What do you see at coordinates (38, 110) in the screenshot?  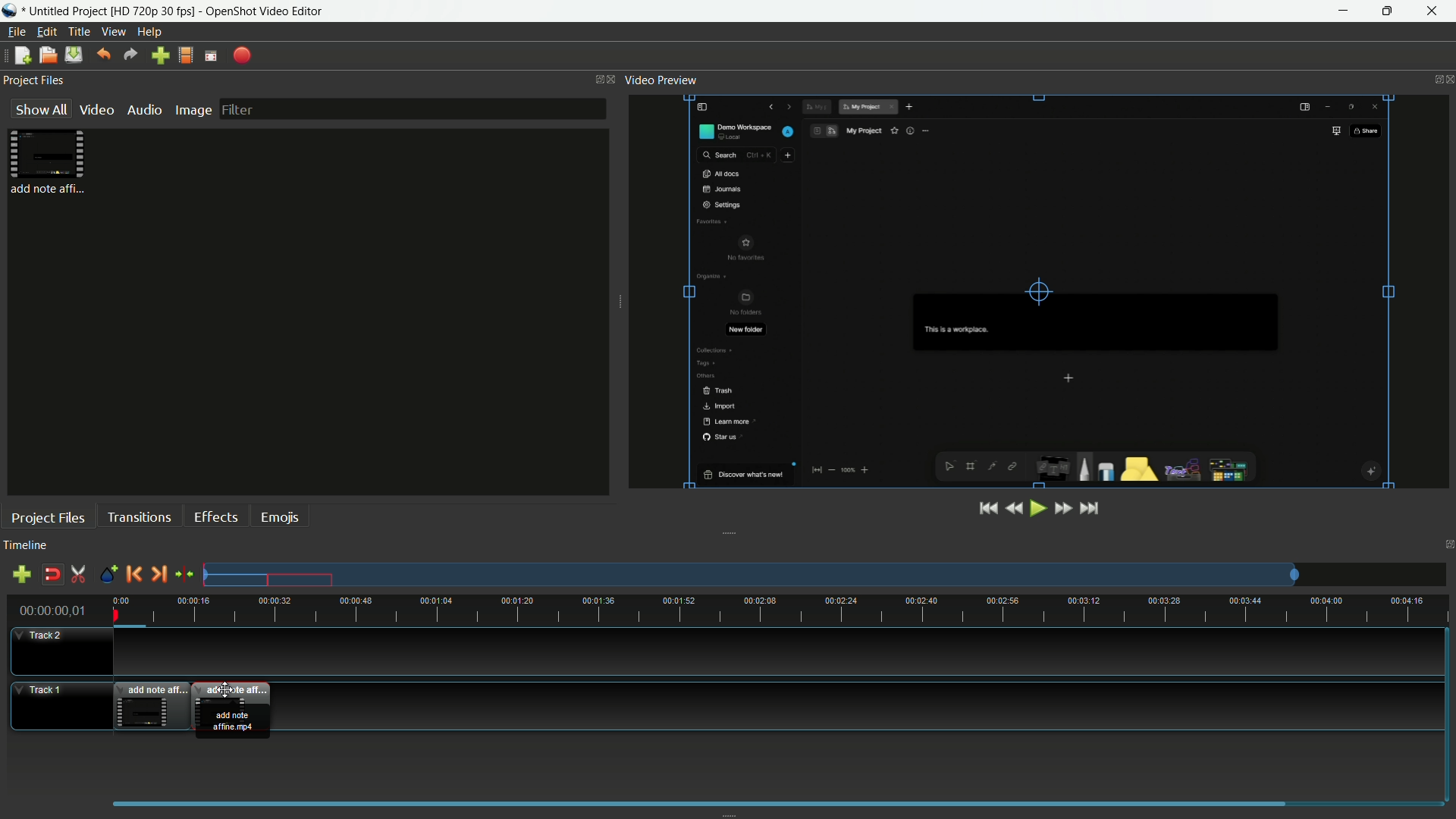 I see `show all` at bounding box center [38, 110].